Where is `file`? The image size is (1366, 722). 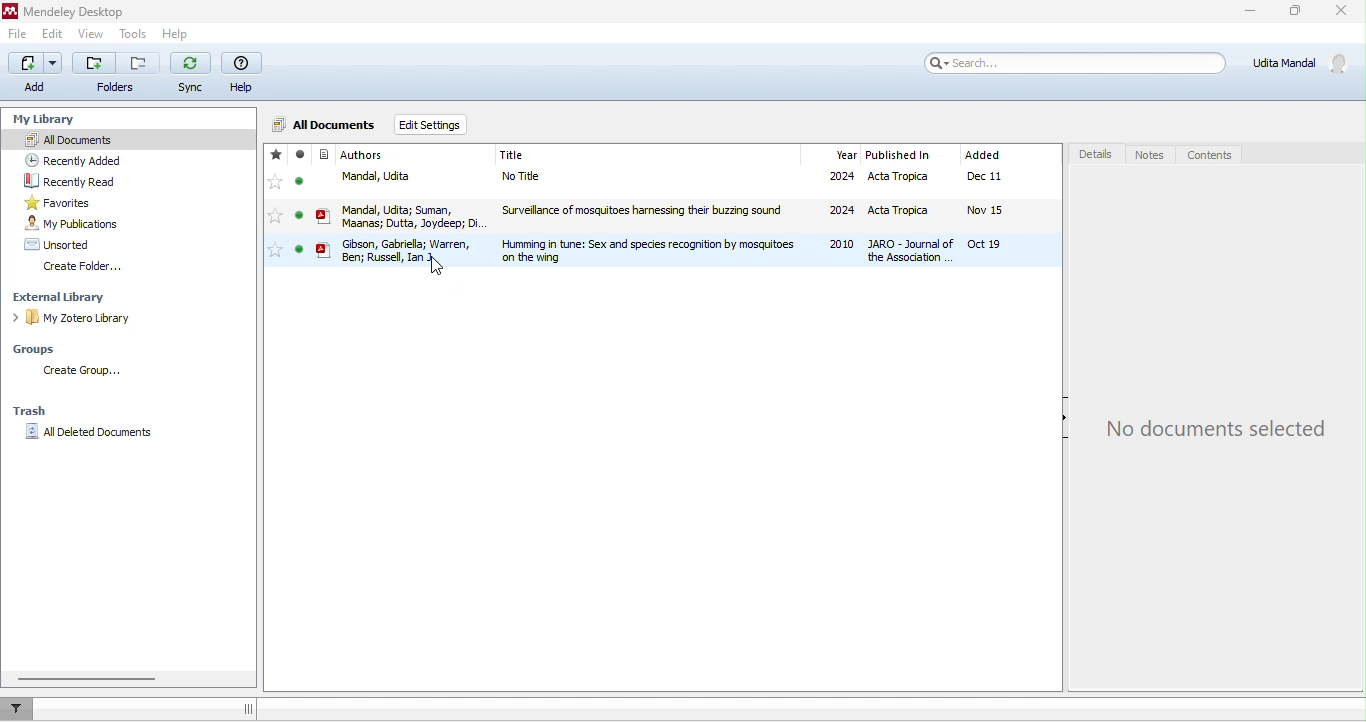
file is located at coordinates (18, 35).